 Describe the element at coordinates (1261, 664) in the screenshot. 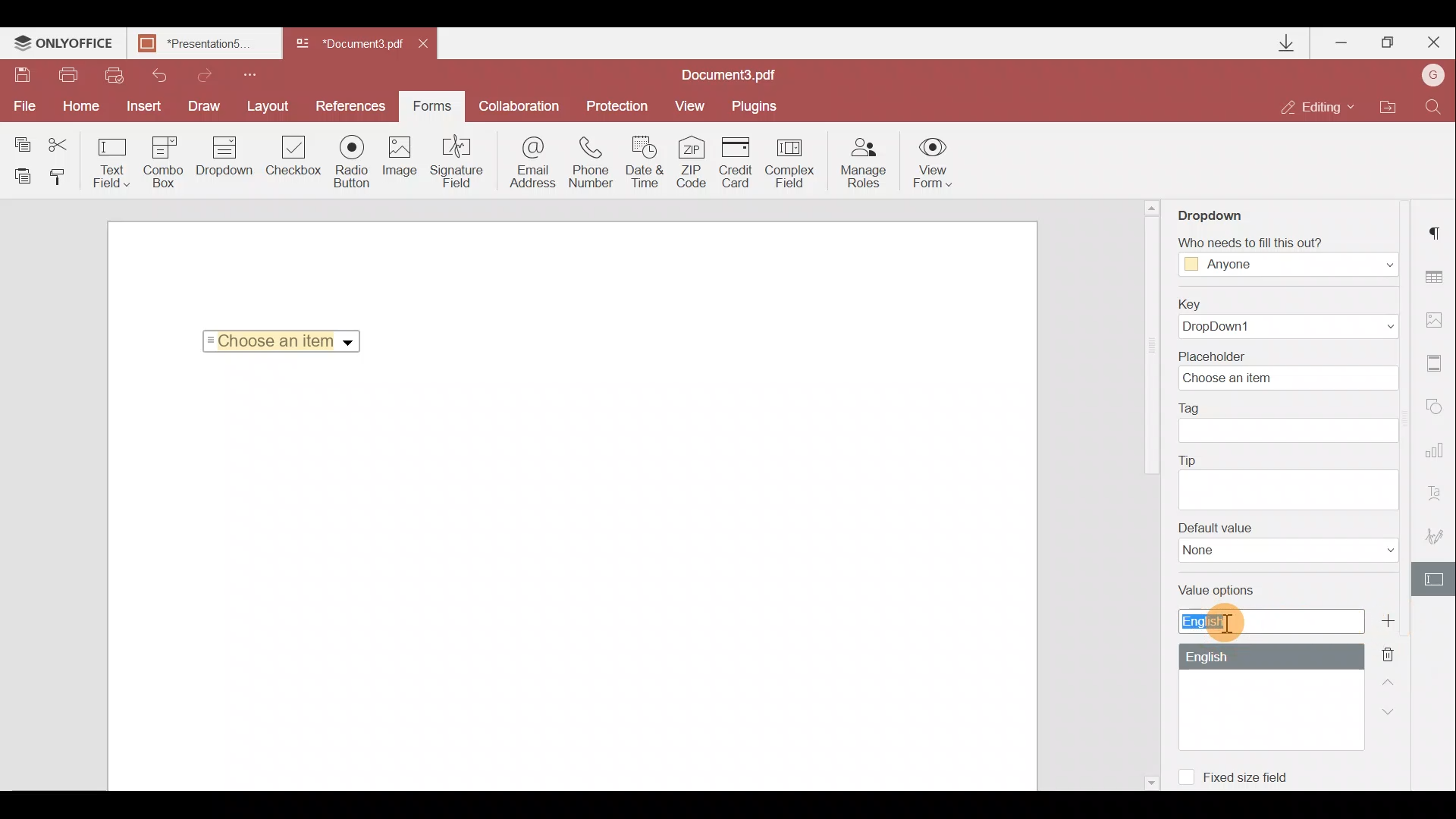

I see `Value options` at that location.